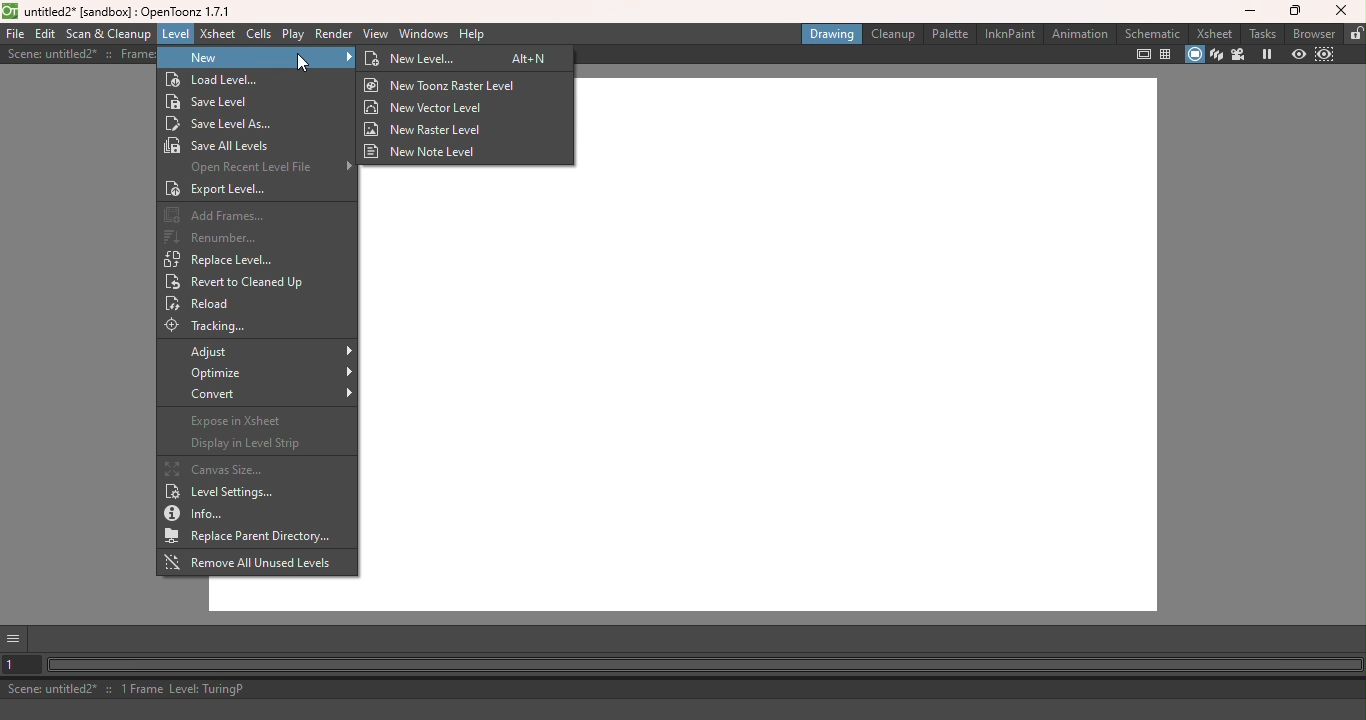 This screenshot has width=1366, height=720. I want to click on Animation, so click(1078, 37).